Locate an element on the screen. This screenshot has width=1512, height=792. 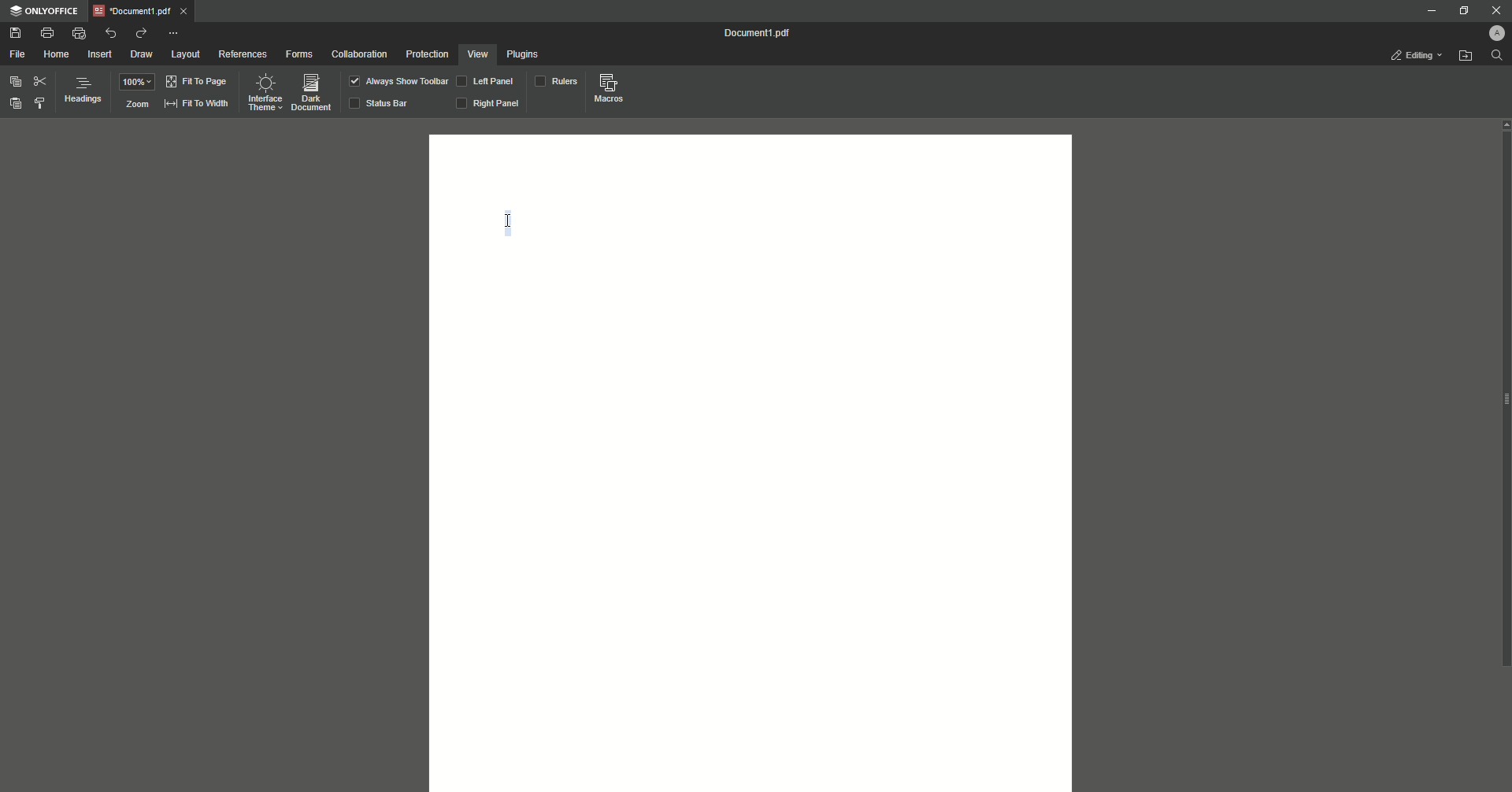
Close is located at coordinates (1497, 12).